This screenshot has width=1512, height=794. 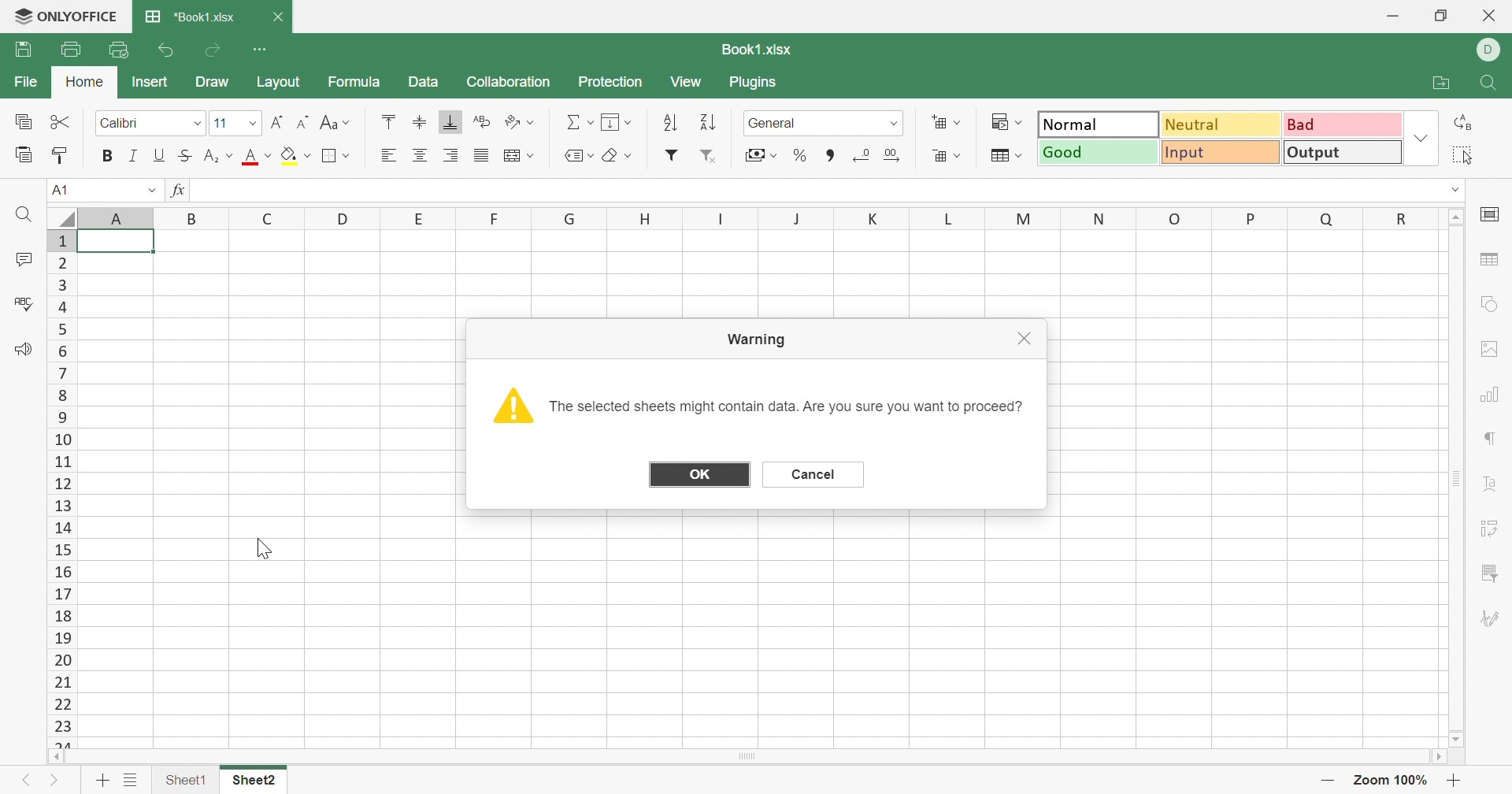 What do you see at coordinates (997, 121) in the screenshot?
I see `Conditional formatting` at bounding box center [997, 121].